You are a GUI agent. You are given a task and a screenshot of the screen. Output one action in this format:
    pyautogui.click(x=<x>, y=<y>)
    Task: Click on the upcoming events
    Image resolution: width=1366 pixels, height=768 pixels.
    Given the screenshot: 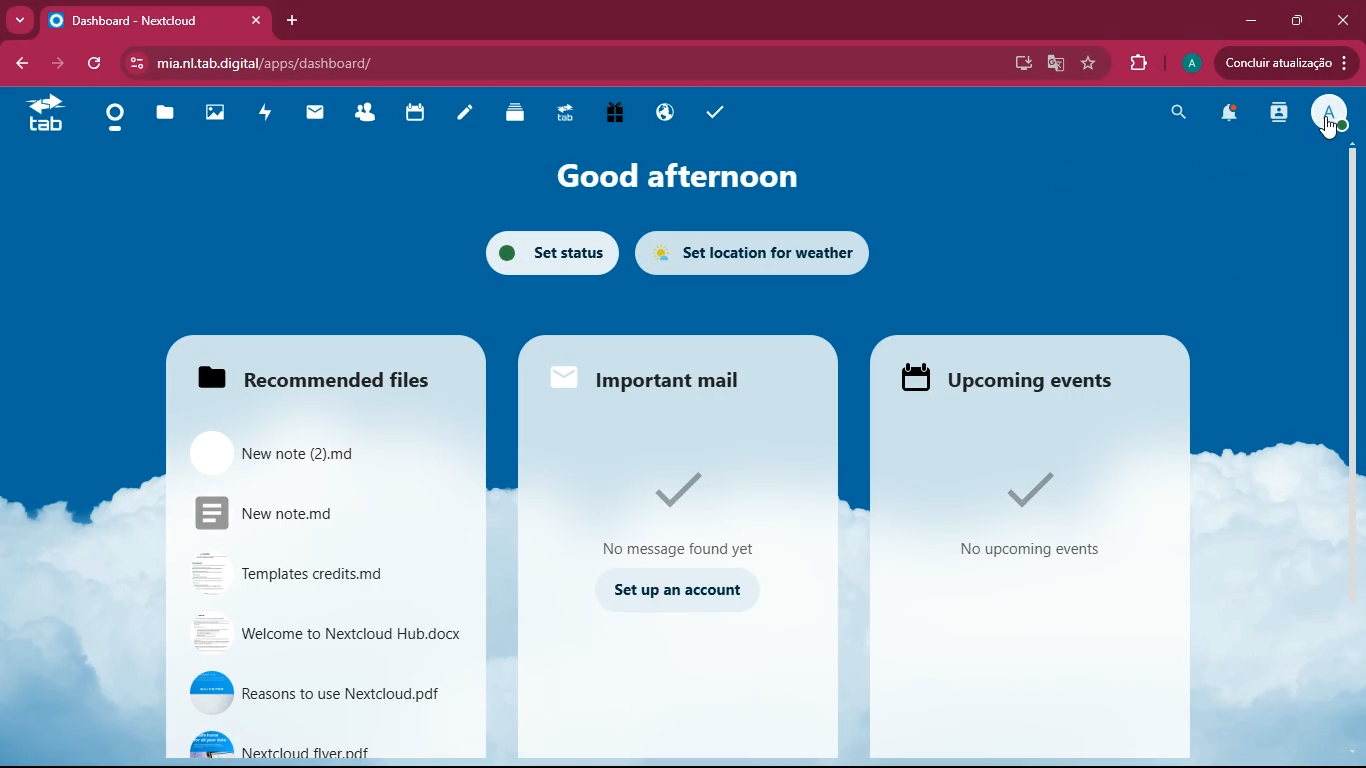 What is the action you would take?
    pyautogui.click(x=1014, y=377)
    